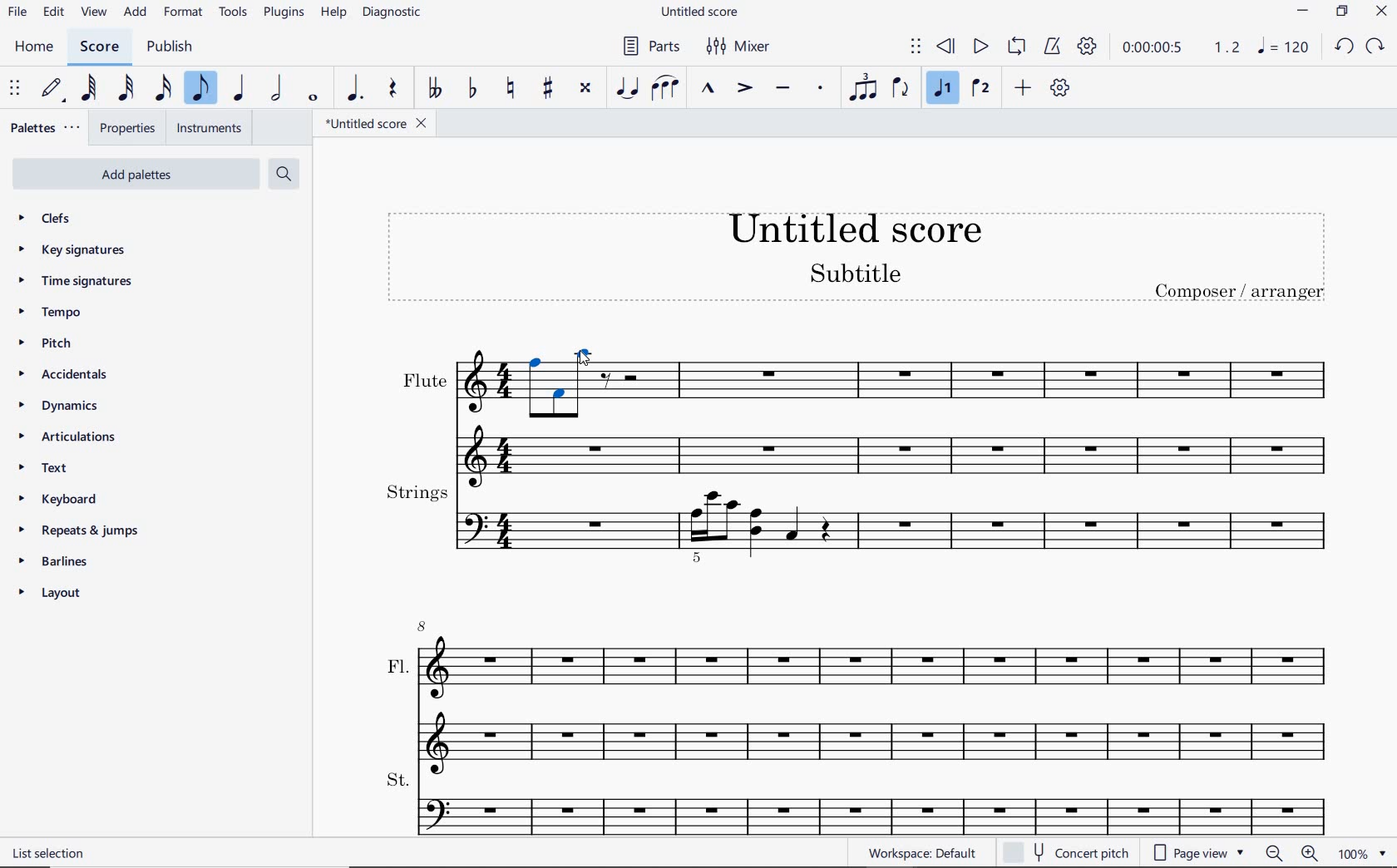 This screenshot has width=1397, height=868. I want to click on SELECT TO MOVE, so click(916, 47).